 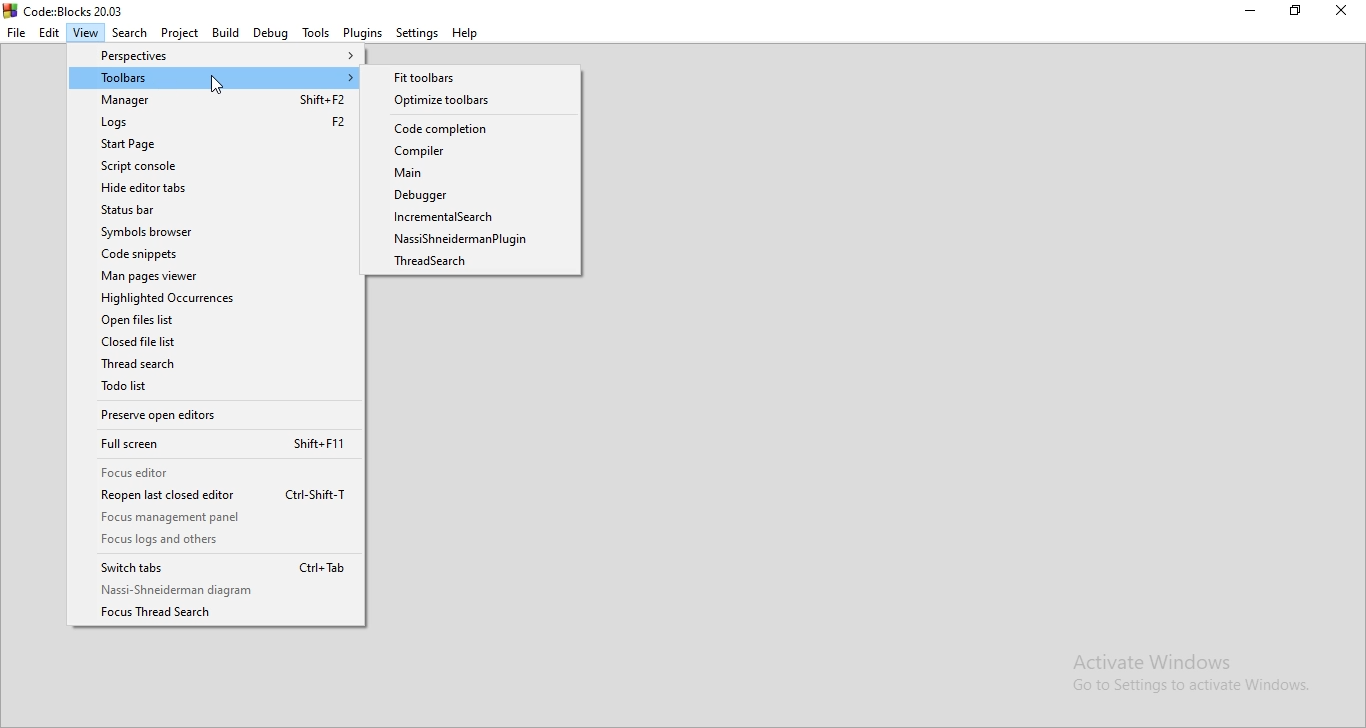 I want to click on Debugger, so click(x=474, y=196).